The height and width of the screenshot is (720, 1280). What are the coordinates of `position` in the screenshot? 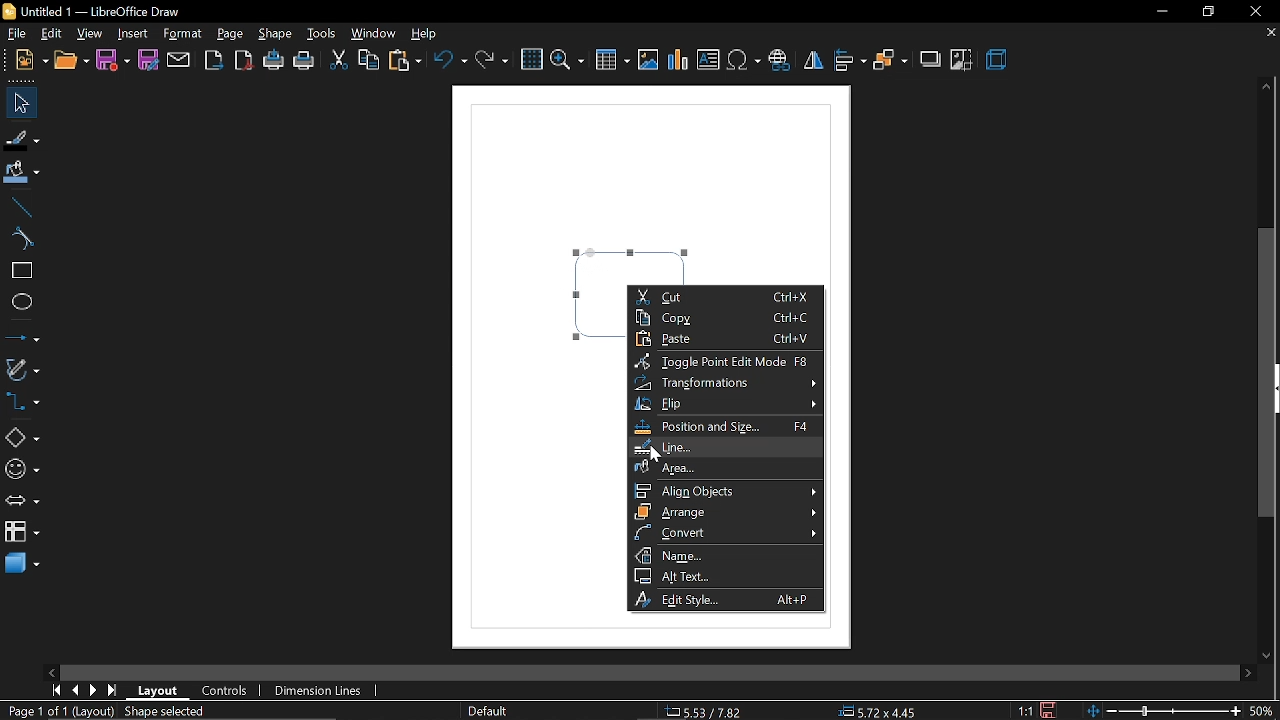 It's located at (882, 712).